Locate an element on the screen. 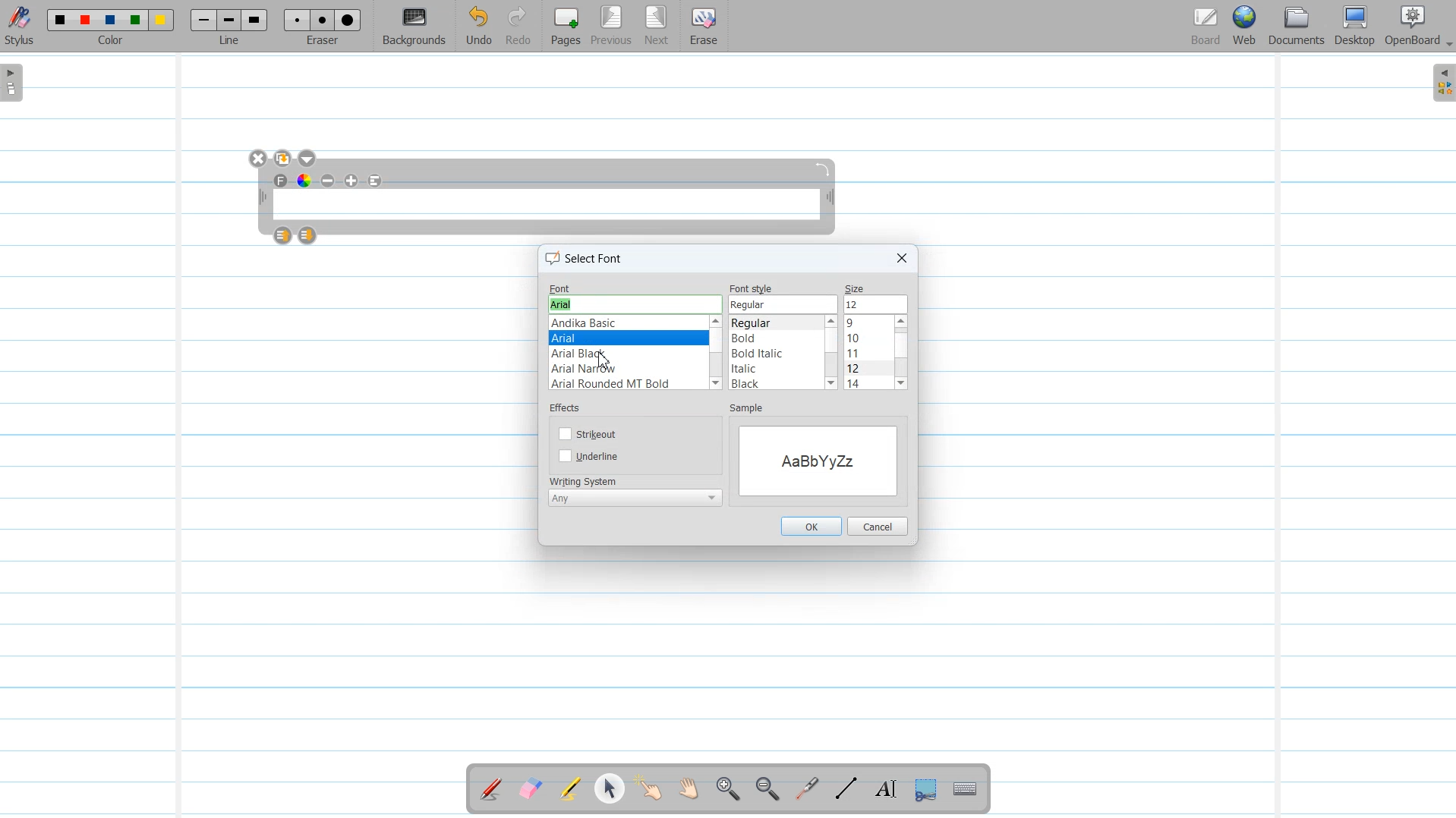  Close Window is located at coordinates (900, 258).